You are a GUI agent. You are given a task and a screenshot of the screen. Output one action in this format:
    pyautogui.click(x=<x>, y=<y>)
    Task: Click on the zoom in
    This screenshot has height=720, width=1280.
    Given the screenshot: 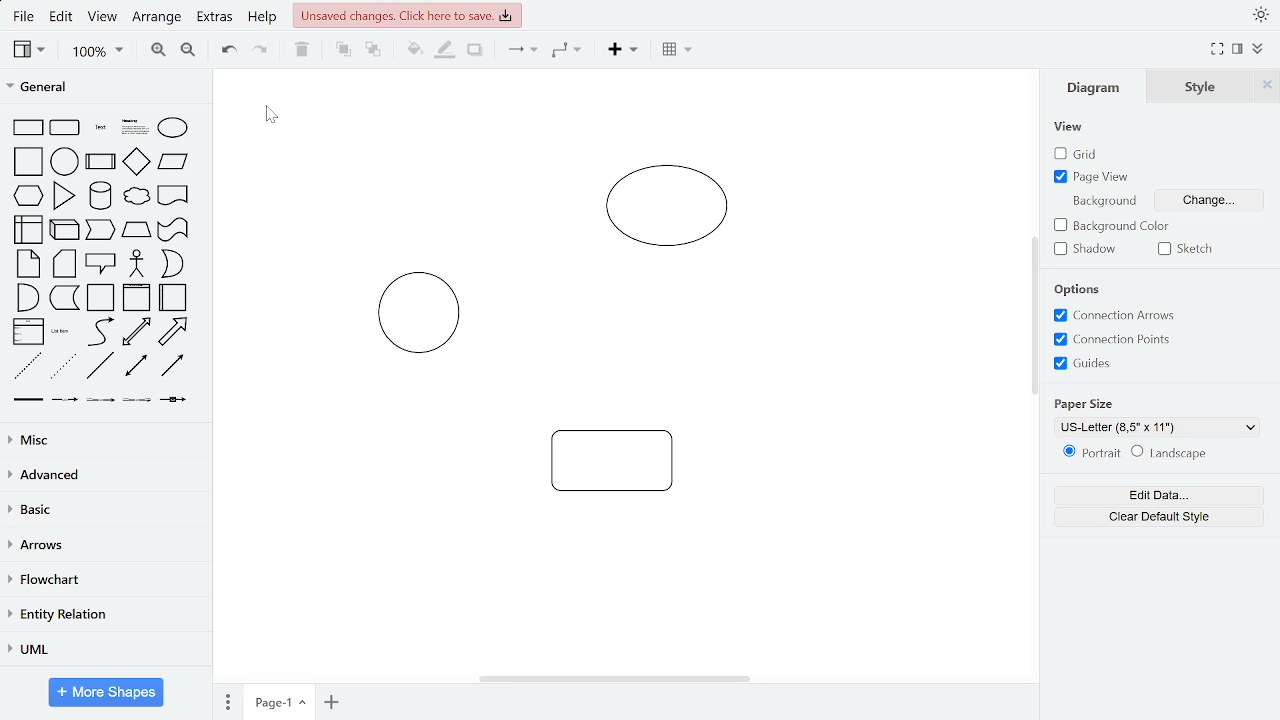 What is the action you would take?
    pyautogui.click(x=159, y=51)
    